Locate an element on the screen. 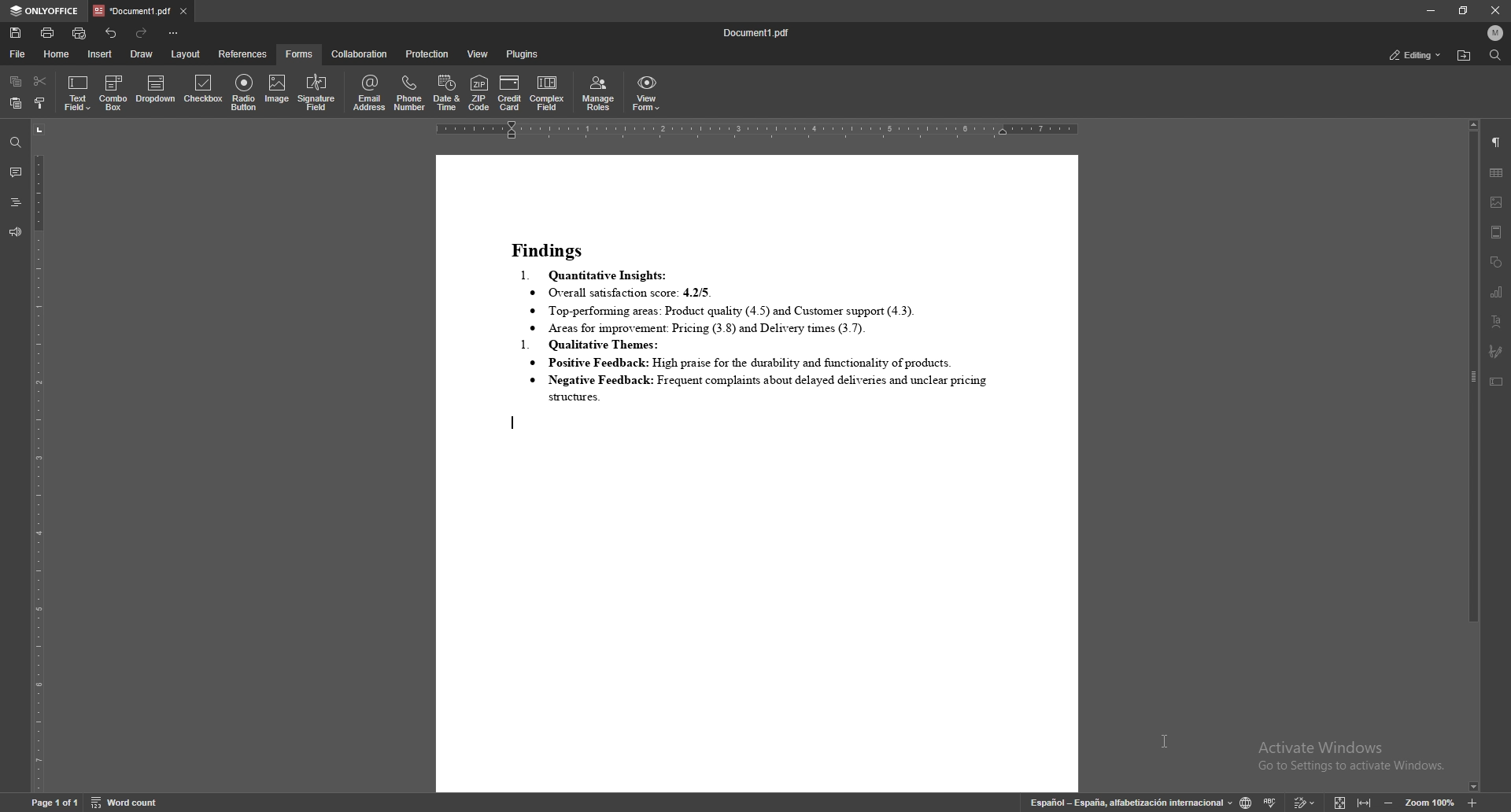 Image resolution: width=1511 pixels, height=812 pixels. collaboration is located at coordinates (361, 54).